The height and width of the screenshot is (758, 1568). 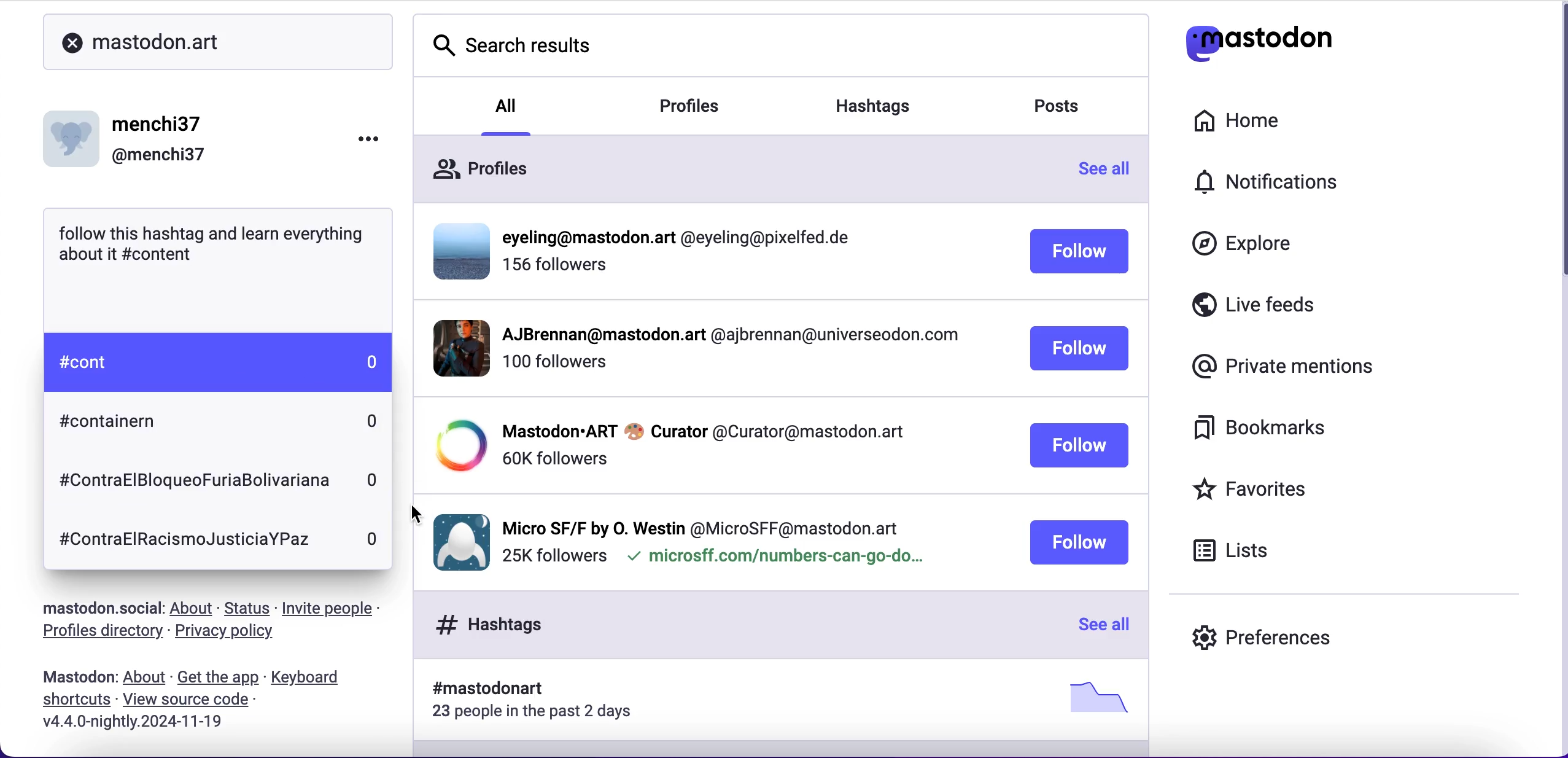 What do you see at coordinates (1111, 173) in the screenshot?
I see `see all` at bounding box center [1111, 173].